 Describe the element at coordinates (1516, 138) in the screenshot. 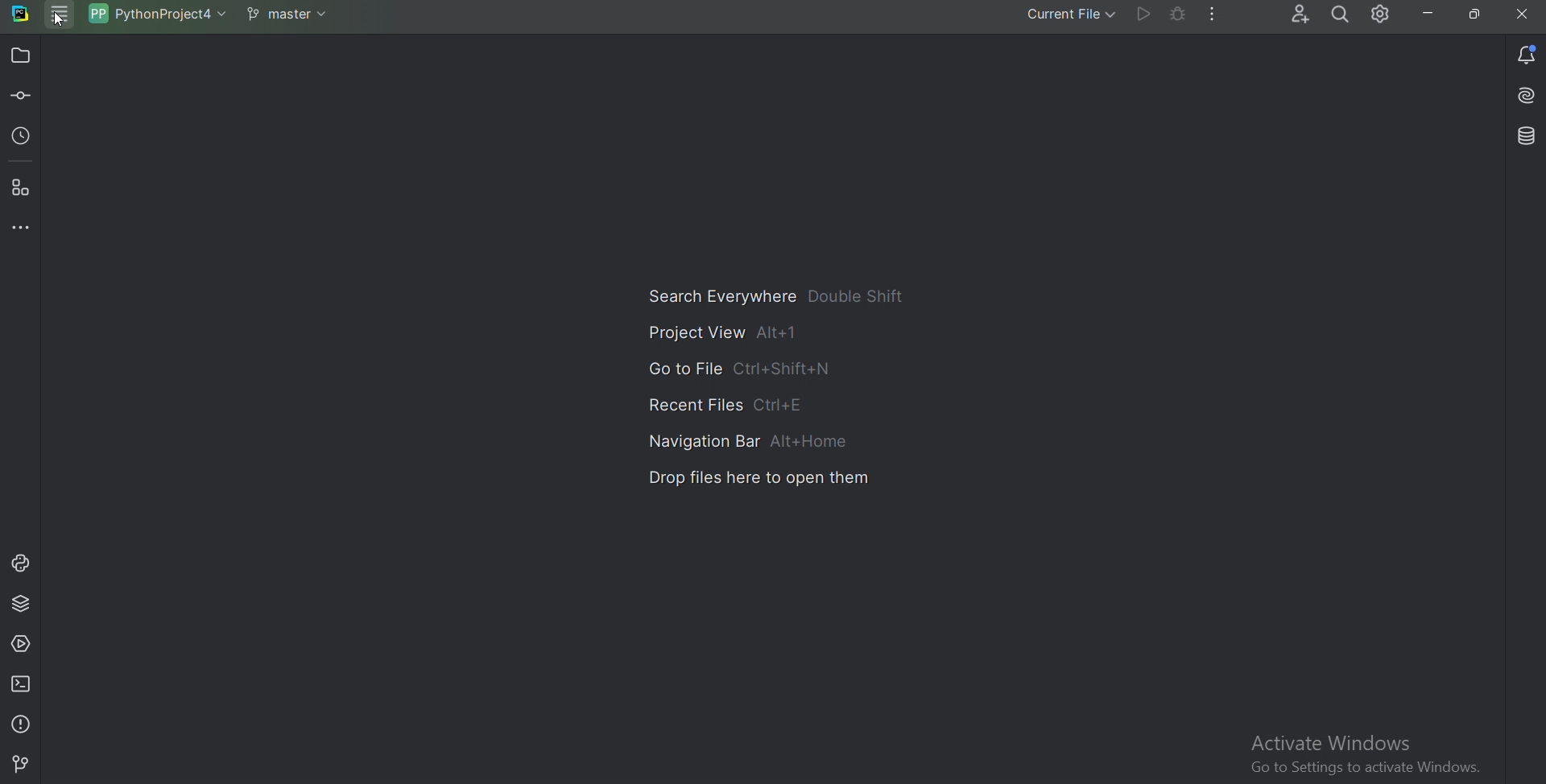

I see `Database` at that location.